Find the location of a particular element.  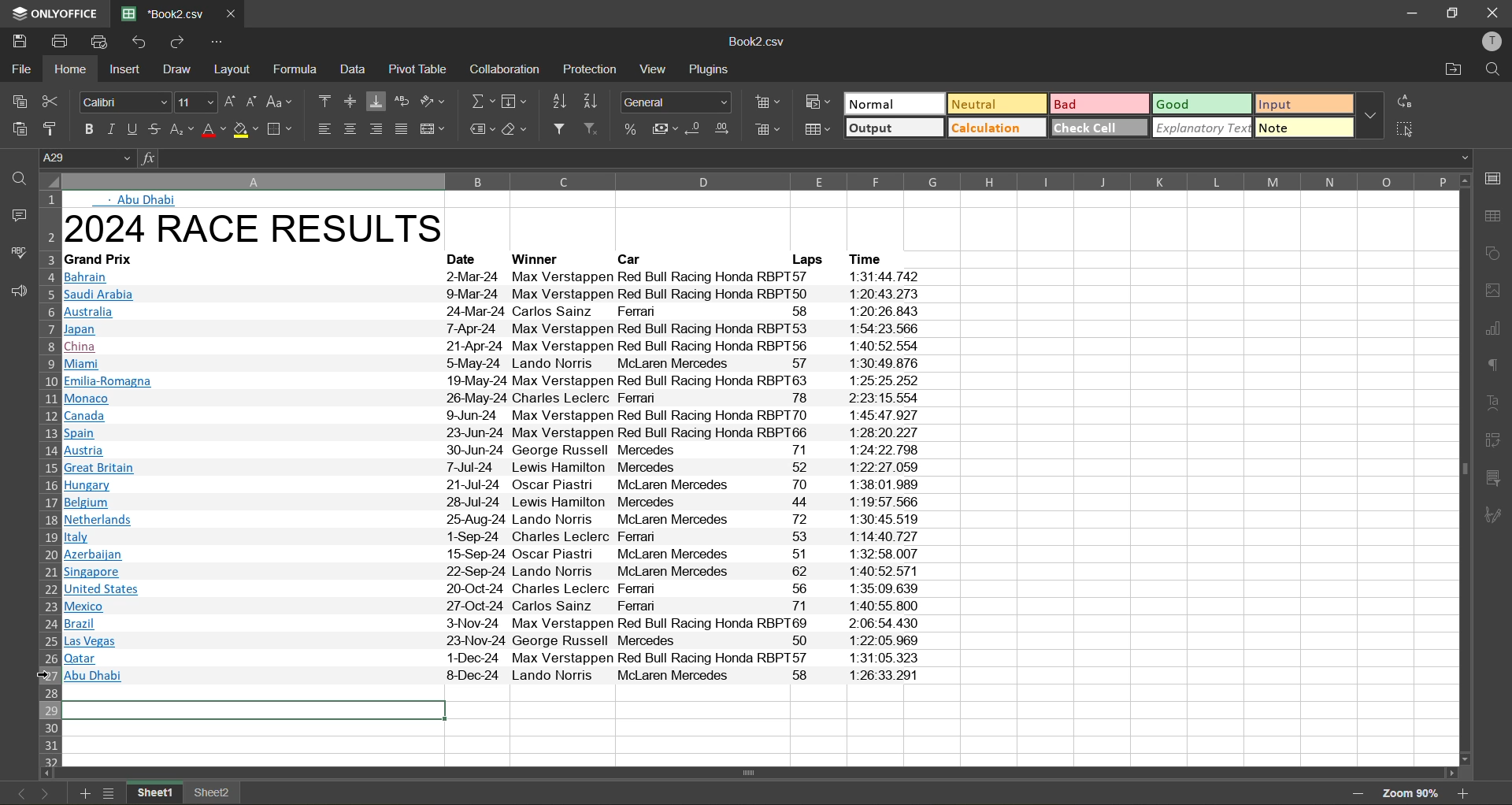

open location is located at coordinates (1451, 70).